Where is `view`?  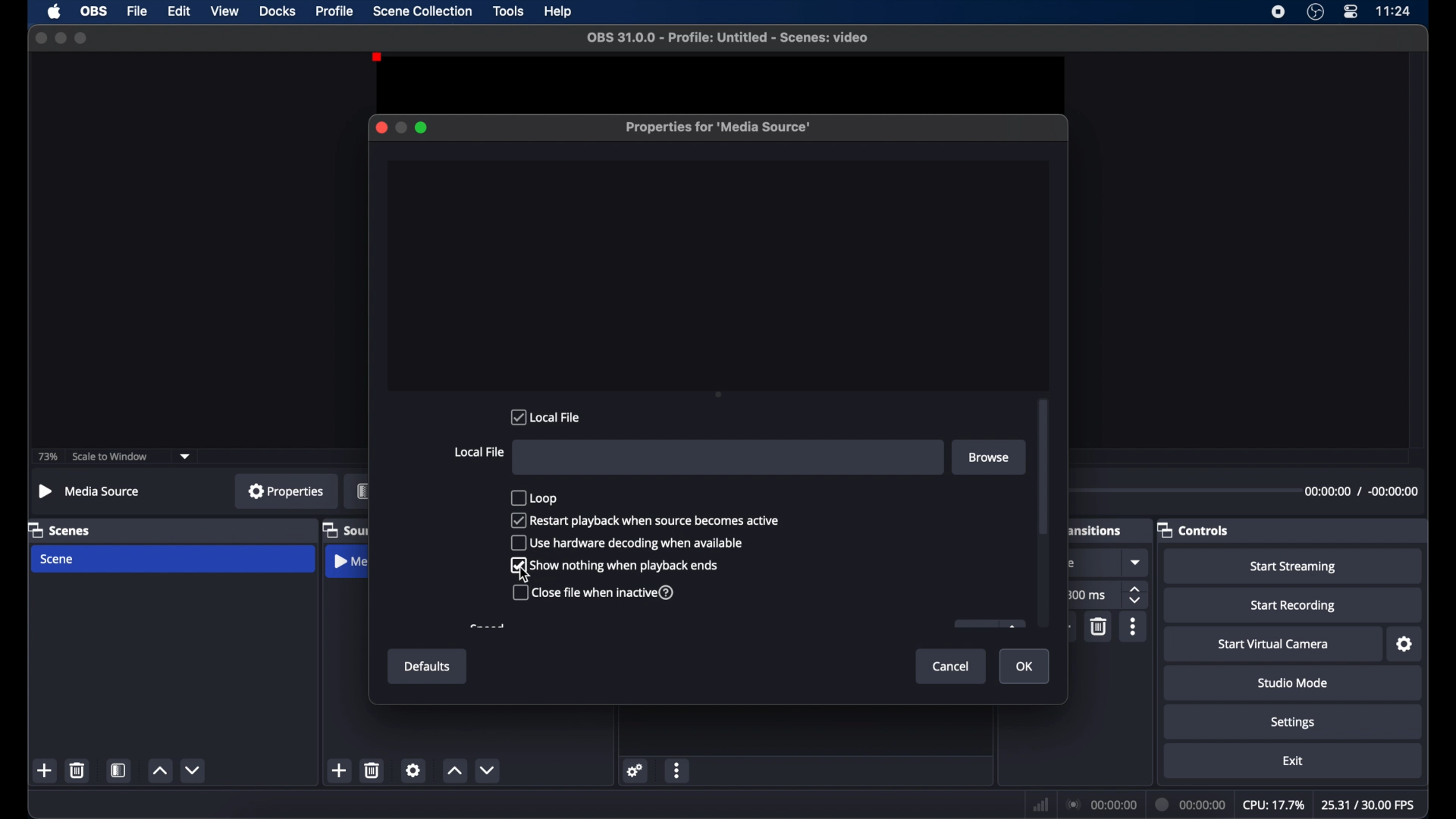
view is located at coordinates (226, 11).